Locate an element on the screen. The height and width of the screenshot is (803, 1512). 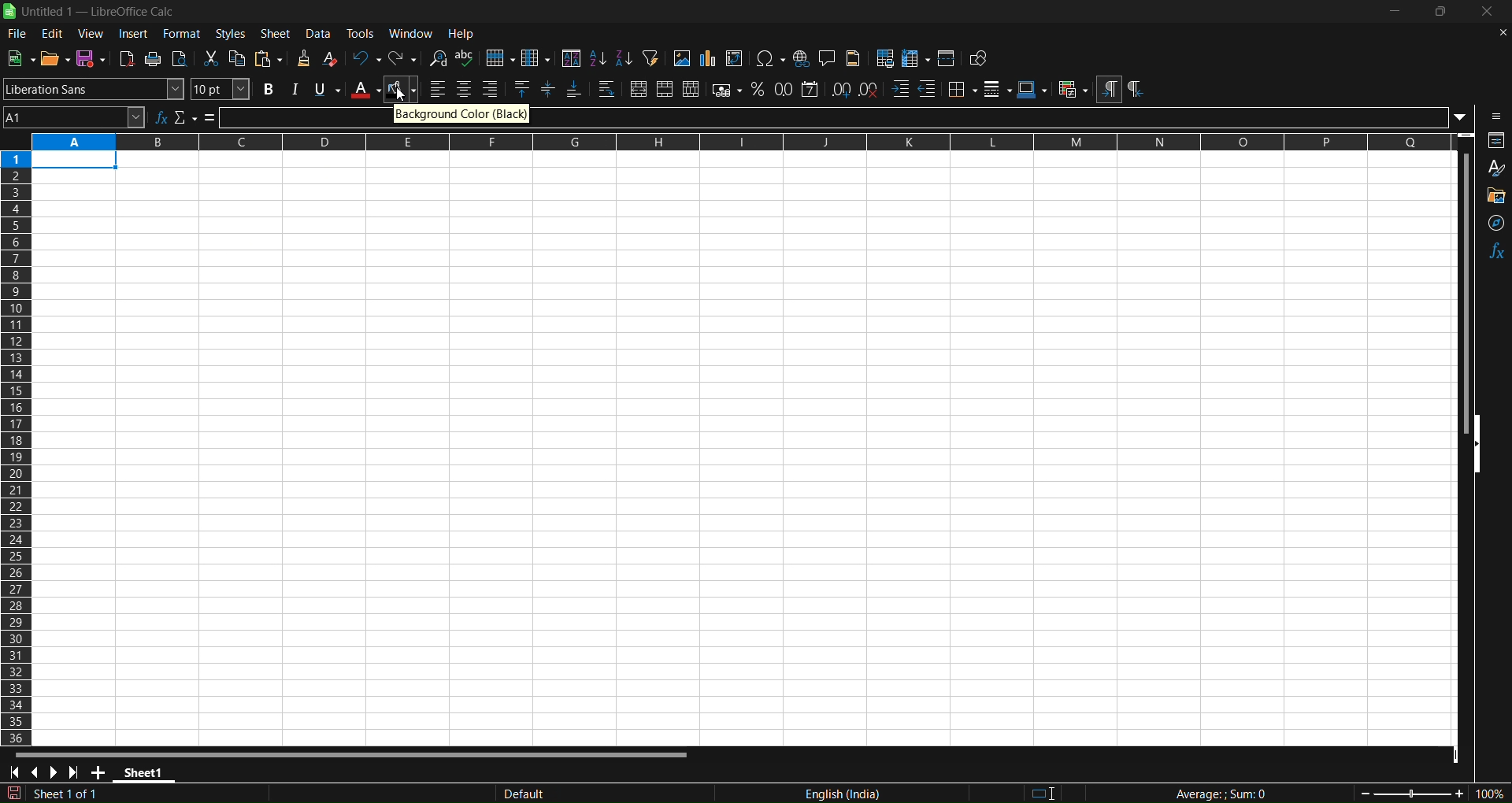
unmerge cells is located at coordinates (691, 90).